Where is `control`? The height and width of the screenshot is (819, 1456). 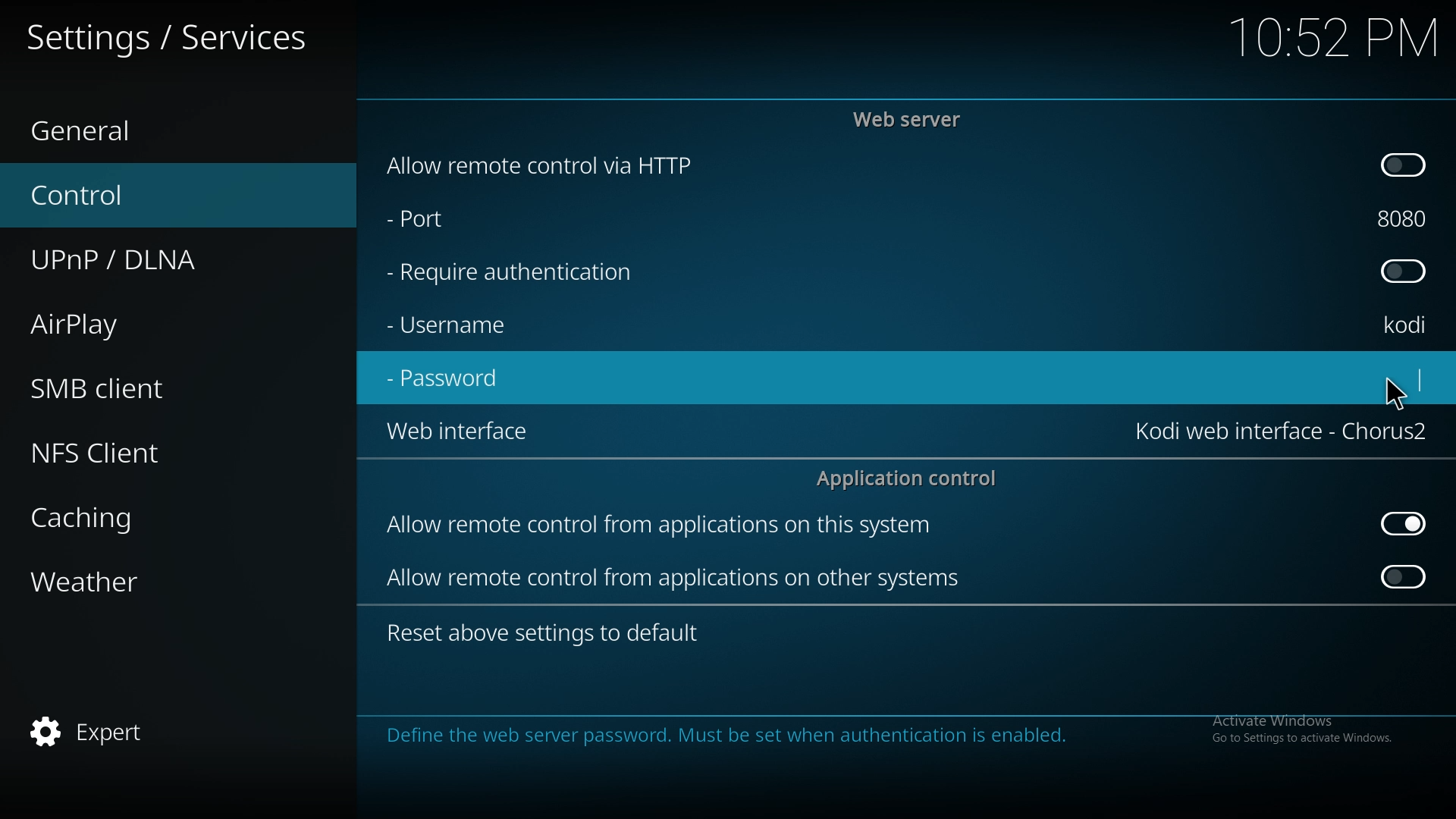
control is located at coordinates (155, 196).